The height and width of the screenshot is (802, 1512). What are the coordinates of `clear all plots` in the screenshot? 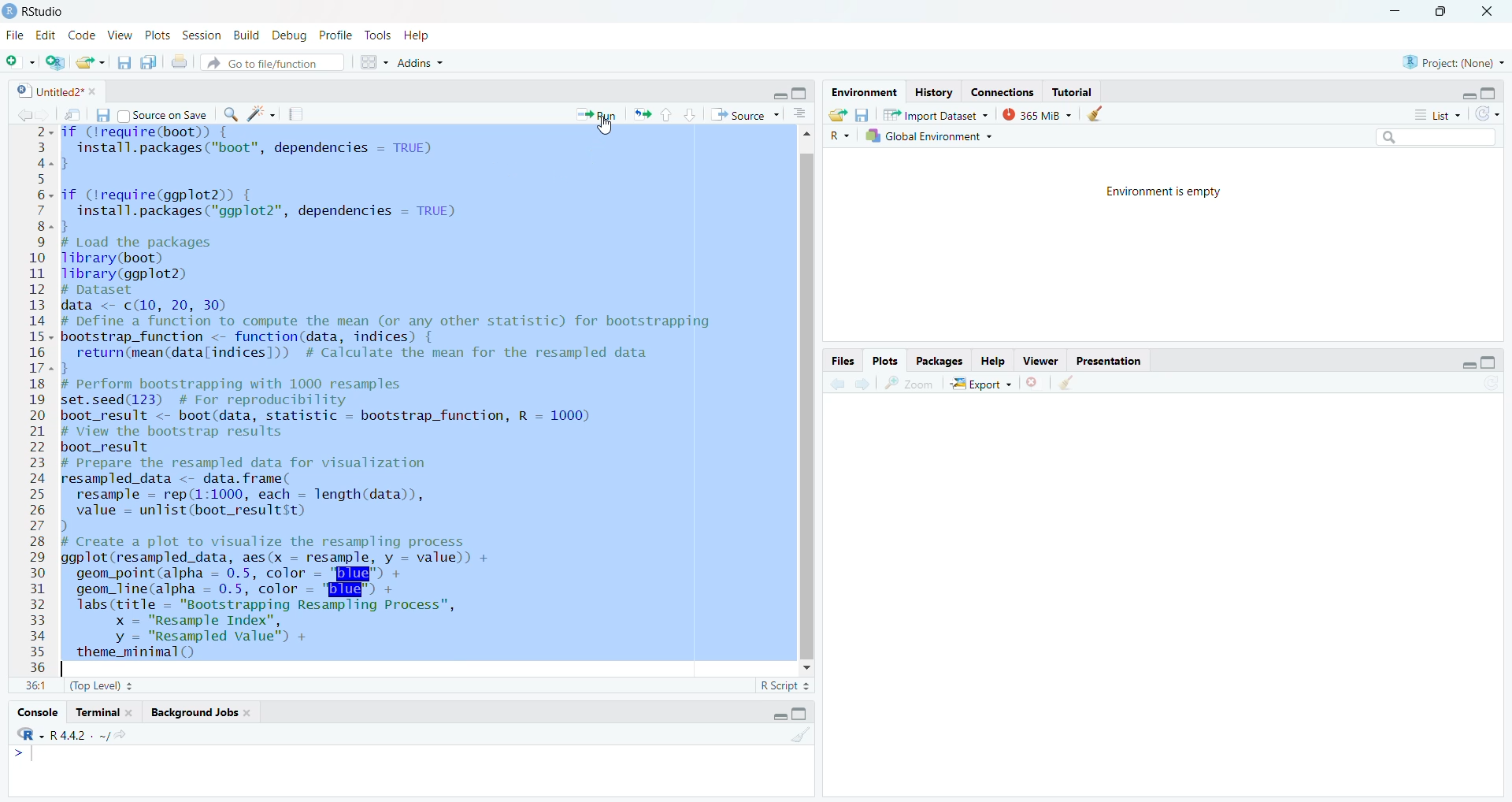 It's located at (1065, 383).